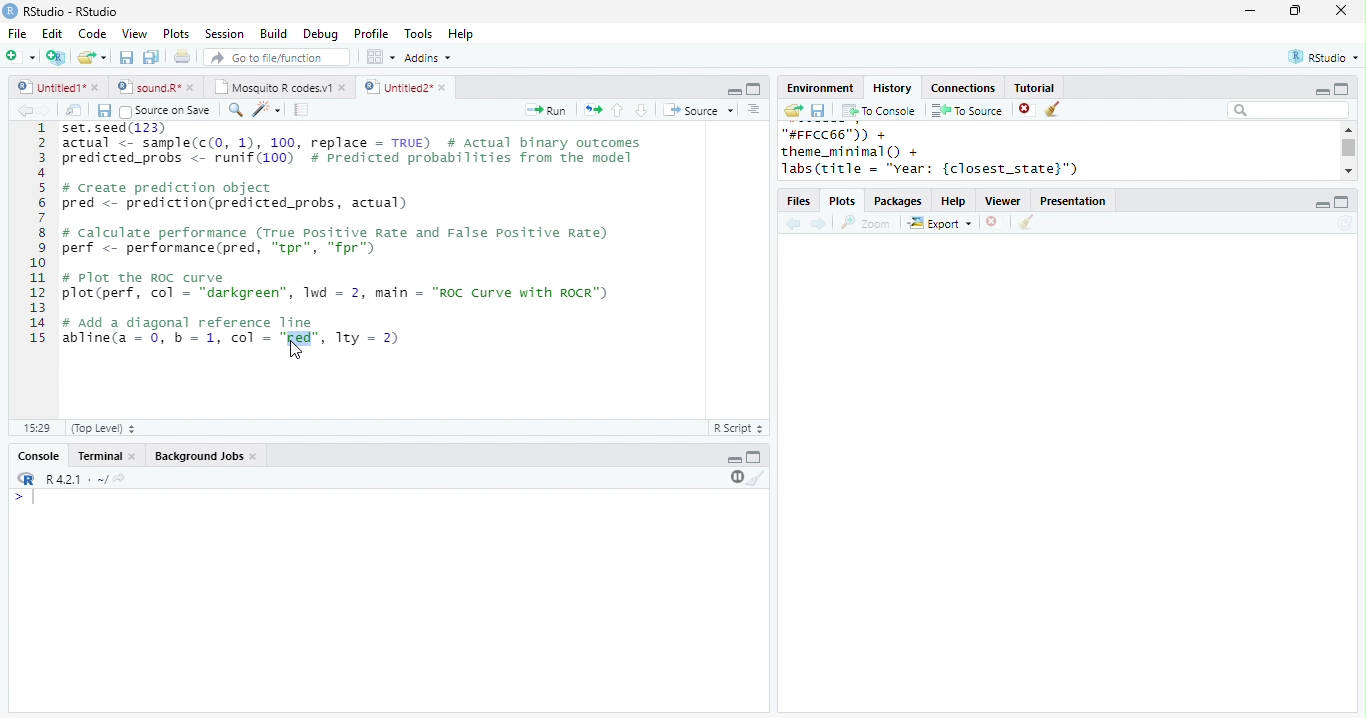 The width and height of the screenshot is (1366, 718). What do you see at coordinates (753, 89) in the screenshot?
I see `maximize` at bounding box center [753, 89].